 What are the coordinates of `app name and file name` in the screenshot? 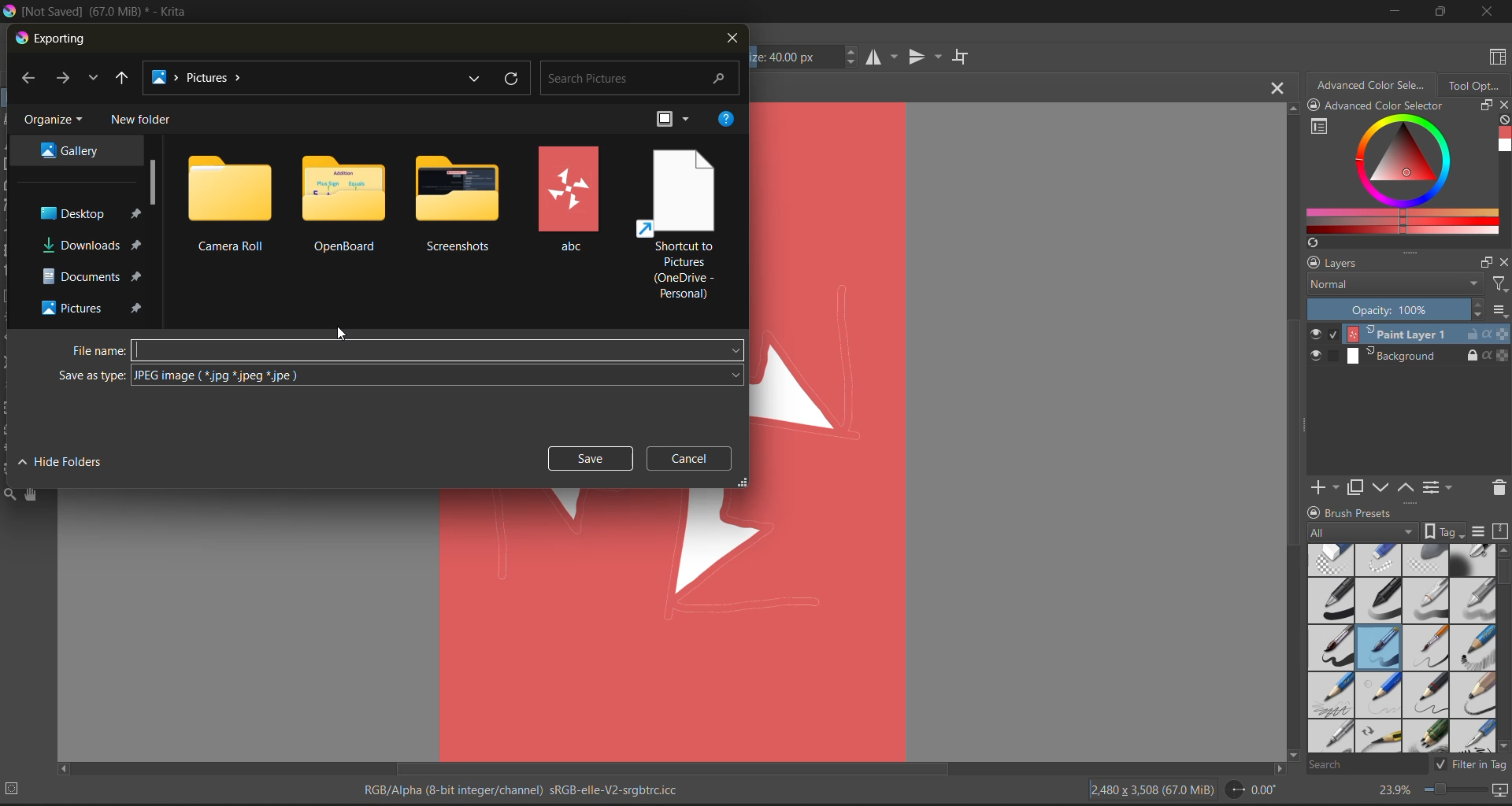 It's located at (109, 13).